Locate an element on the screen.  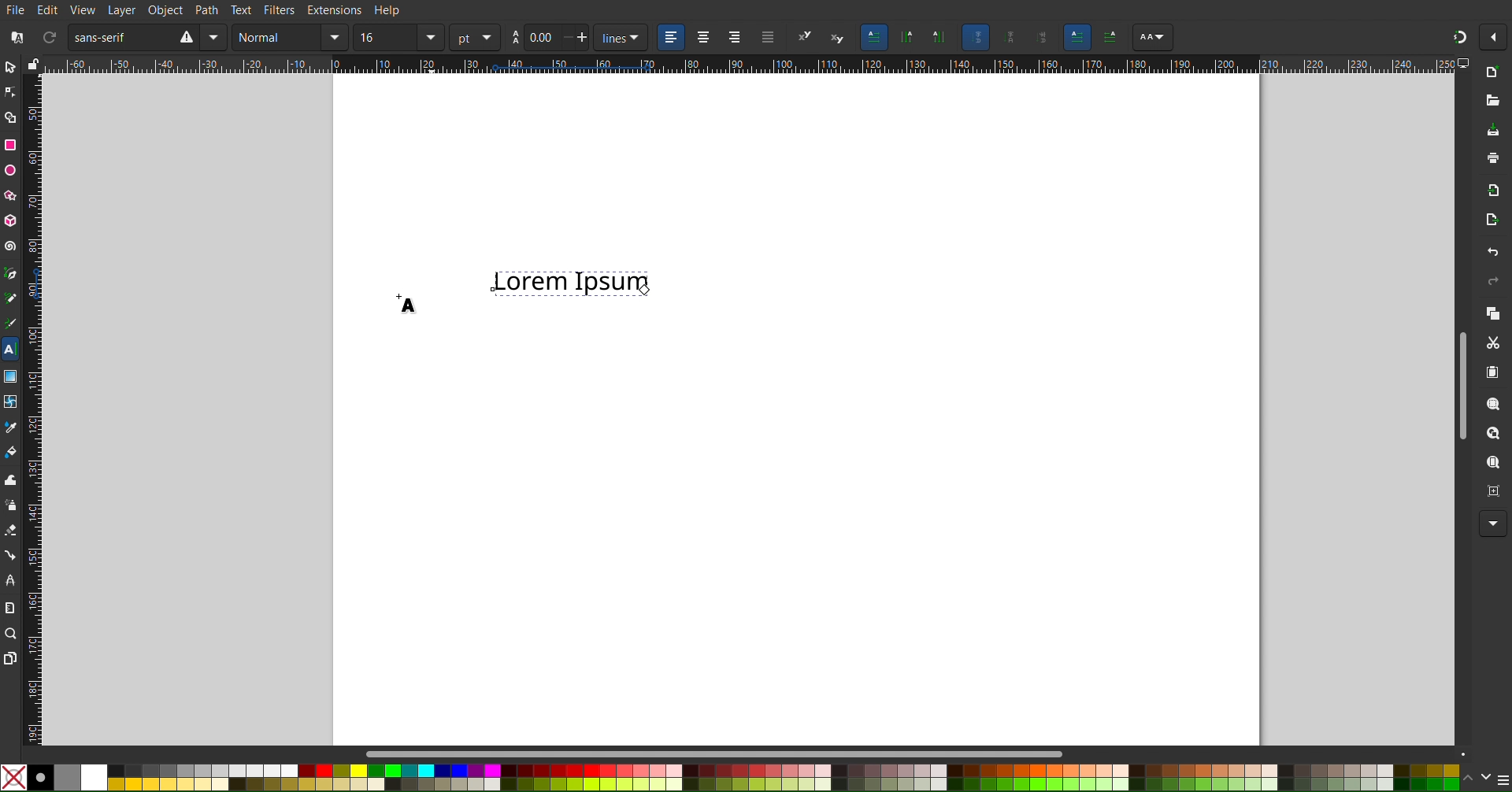
File  is located at coordinates (17, 10).